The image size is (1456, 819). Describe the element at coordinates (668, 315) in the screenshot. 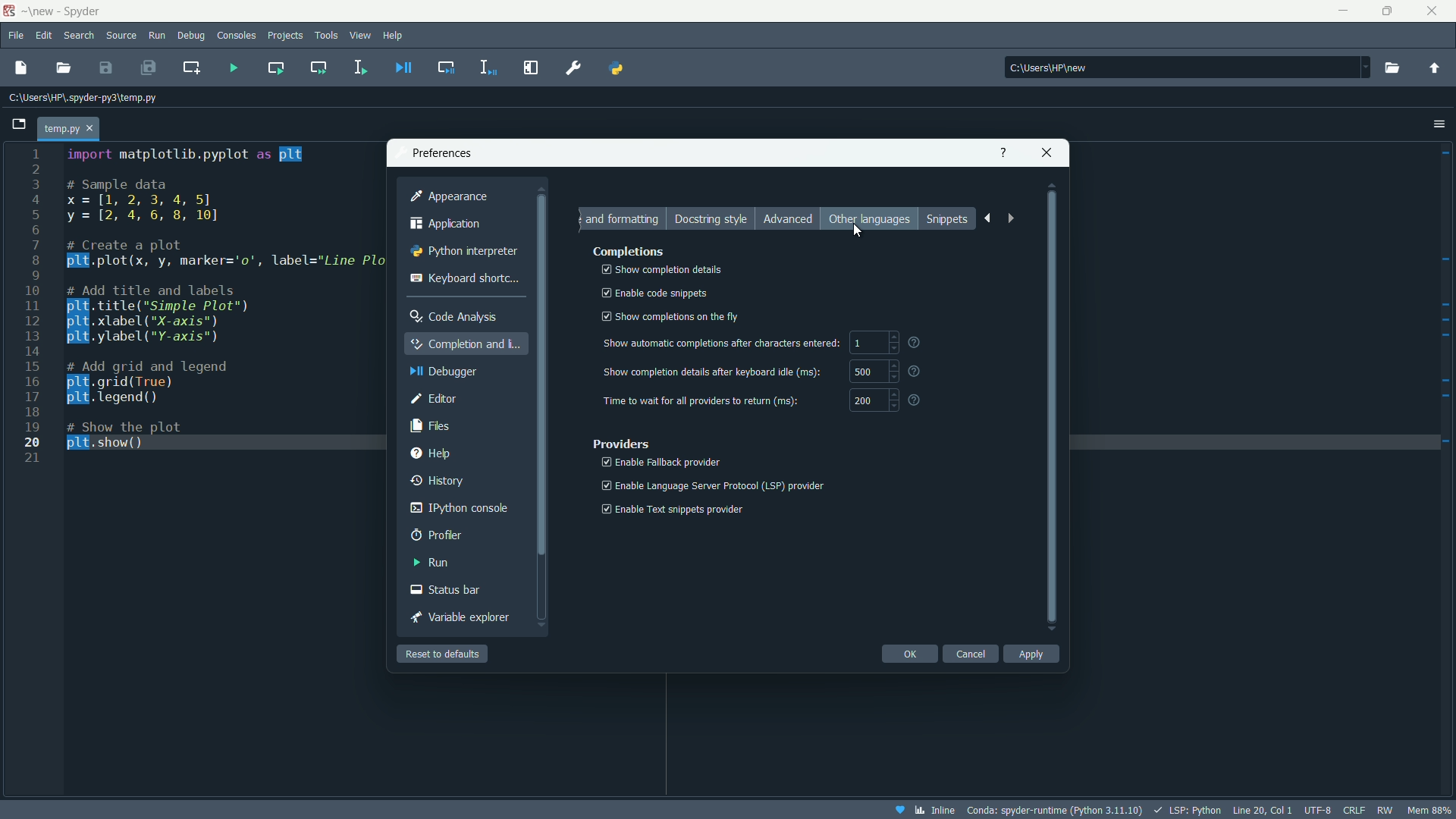

I see `show completions on the fly` at that location.